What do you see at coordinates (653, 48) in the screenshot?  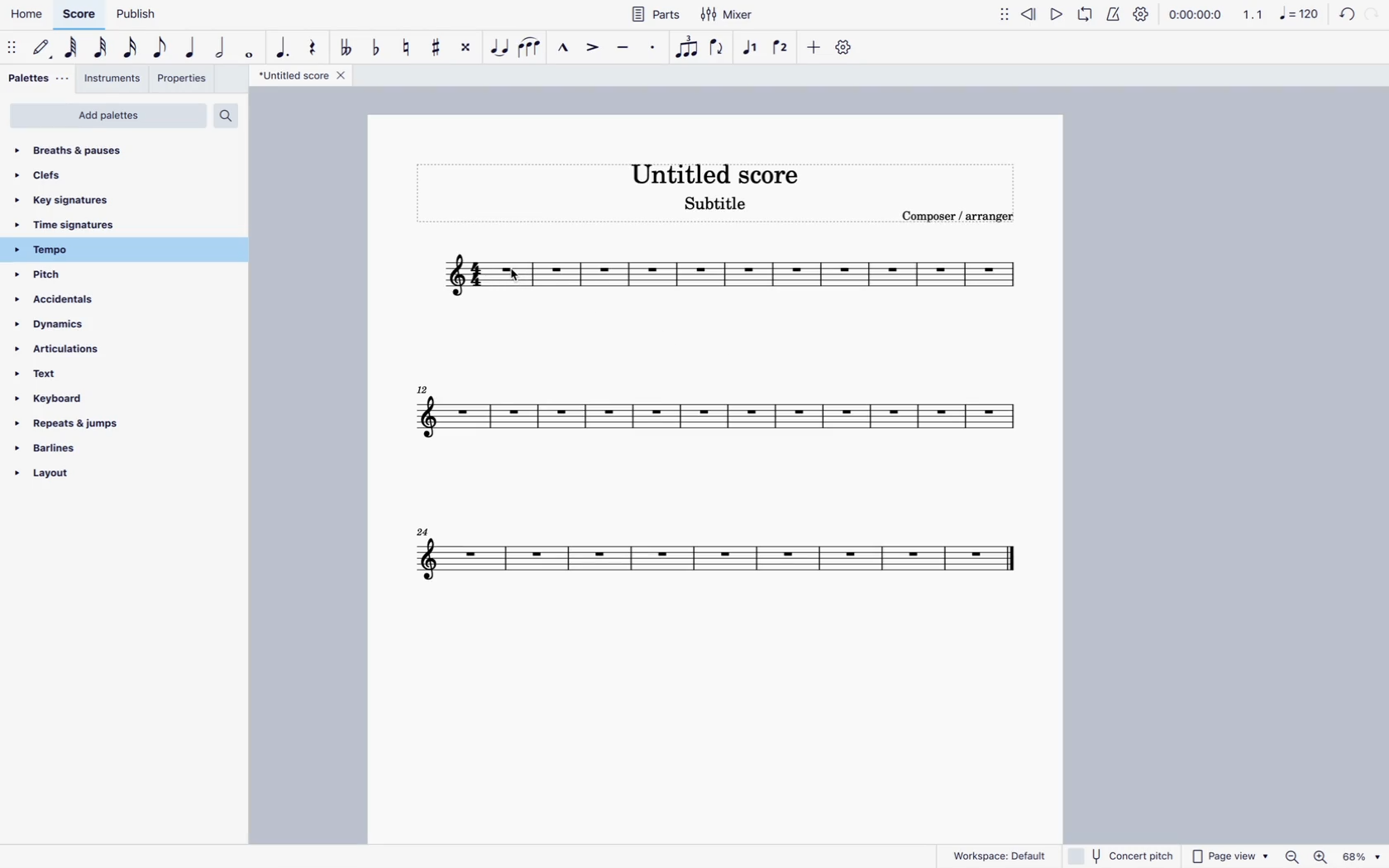 I see `staccato` at bounding box center [653, 48].